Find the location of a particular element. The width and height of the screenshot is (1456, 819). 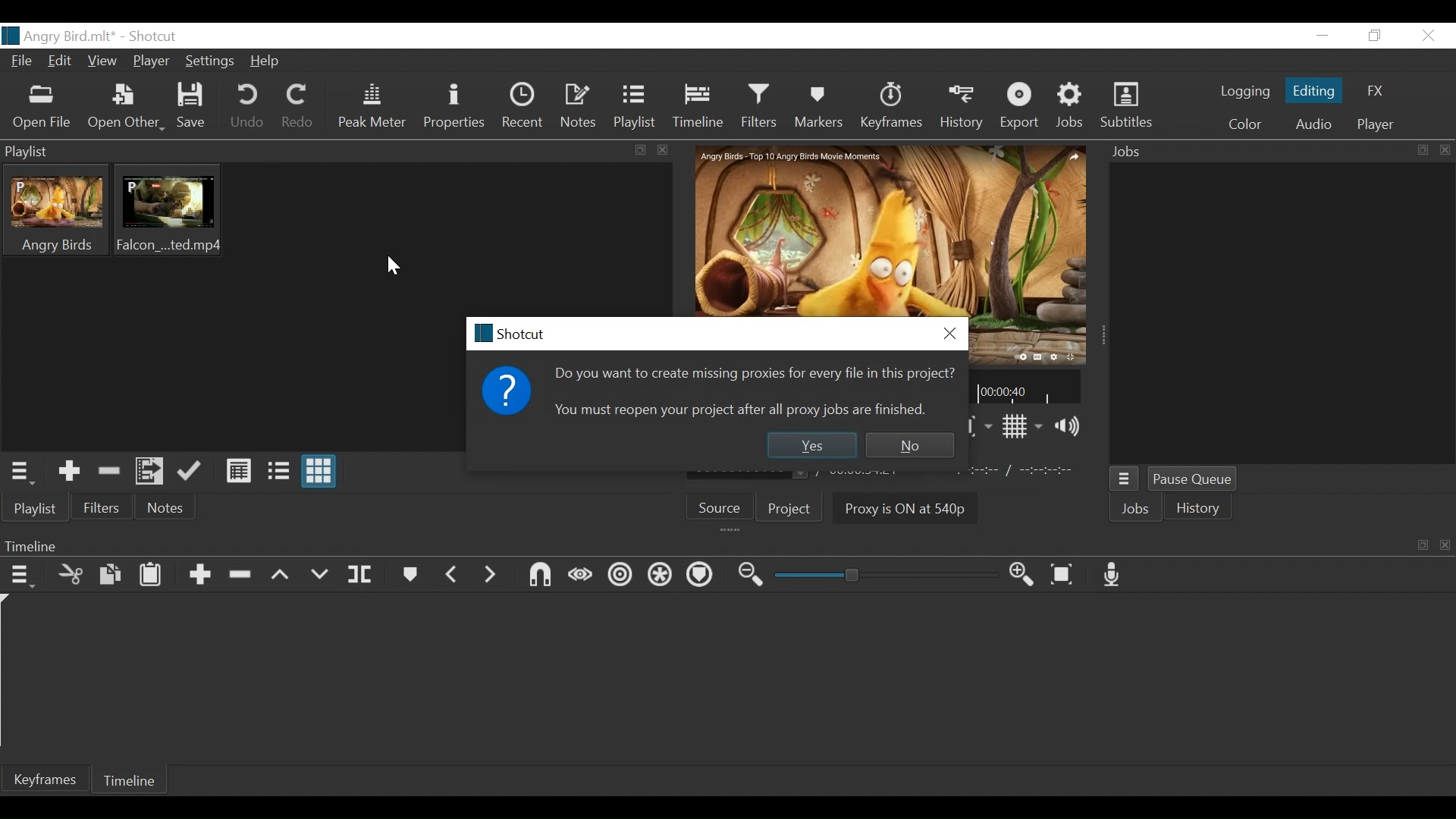

Record audio is located at coordinates (1113, 573).